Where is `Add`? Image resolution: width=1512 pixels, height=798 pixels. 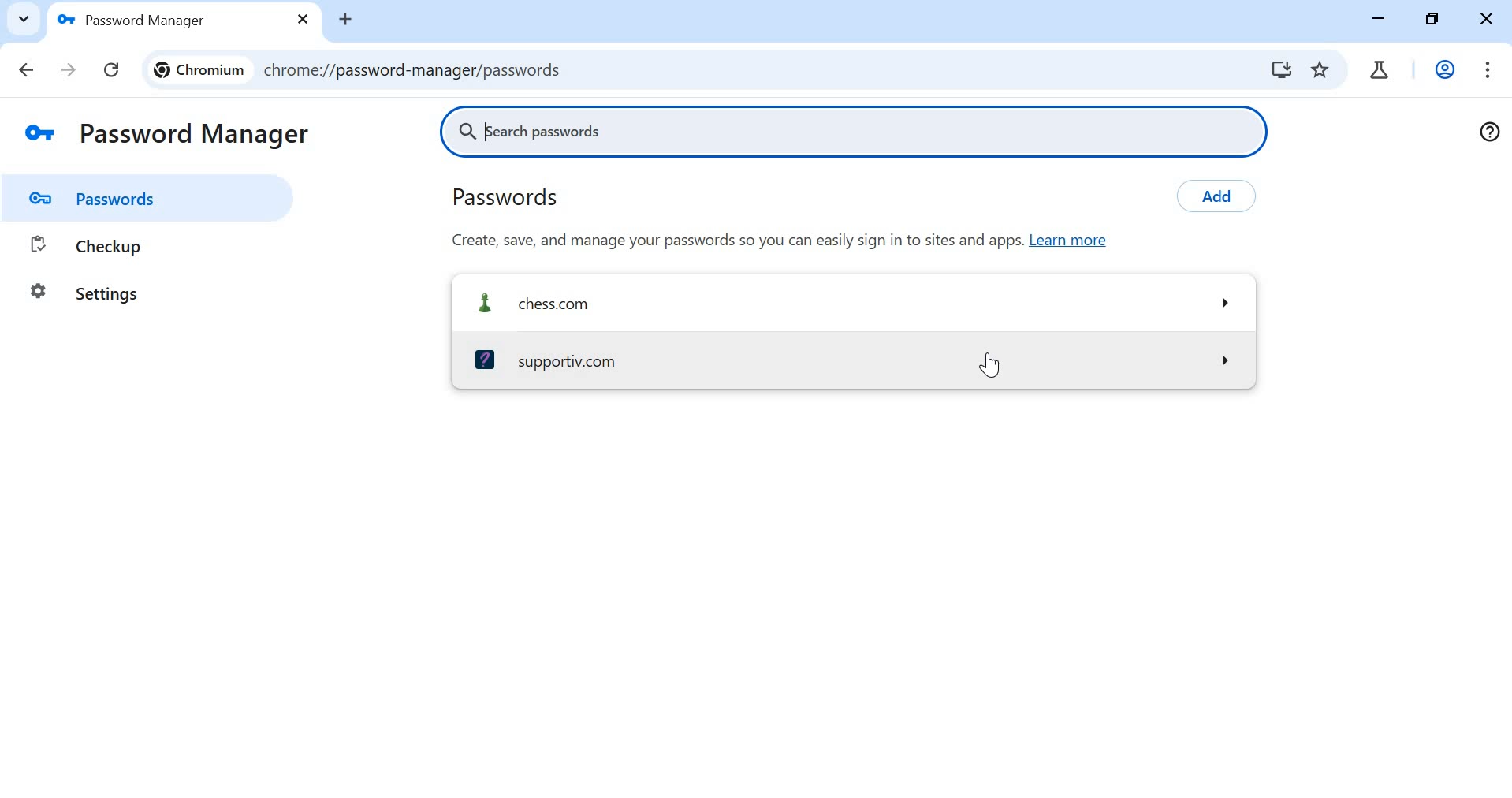 Add is located at coordinates (1226, 195).